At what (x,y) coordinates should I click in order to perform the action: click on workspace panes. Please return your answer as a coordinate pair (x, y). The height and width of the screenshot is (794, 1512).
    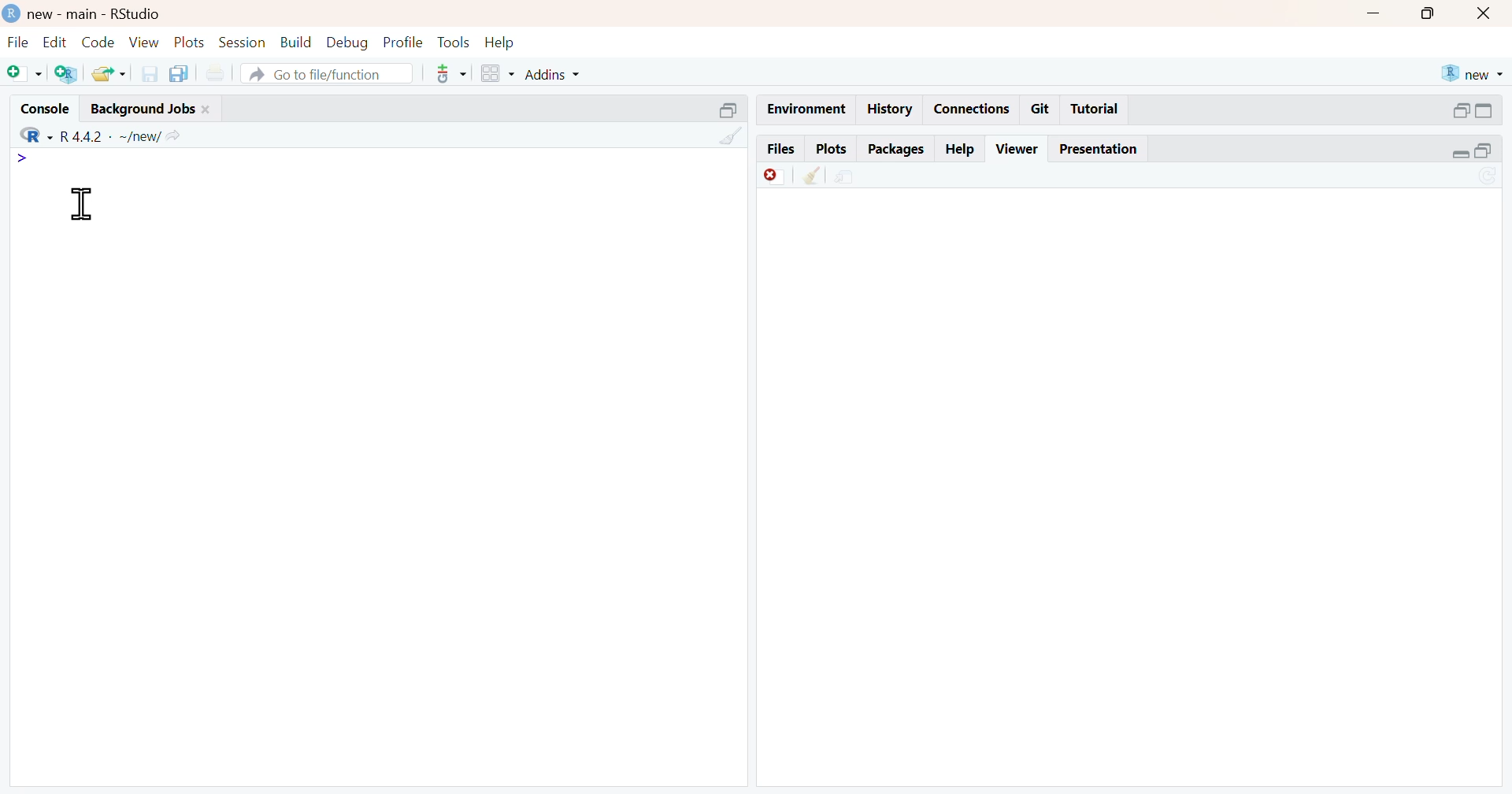
    Looking at the image, I should click on (498, 74).